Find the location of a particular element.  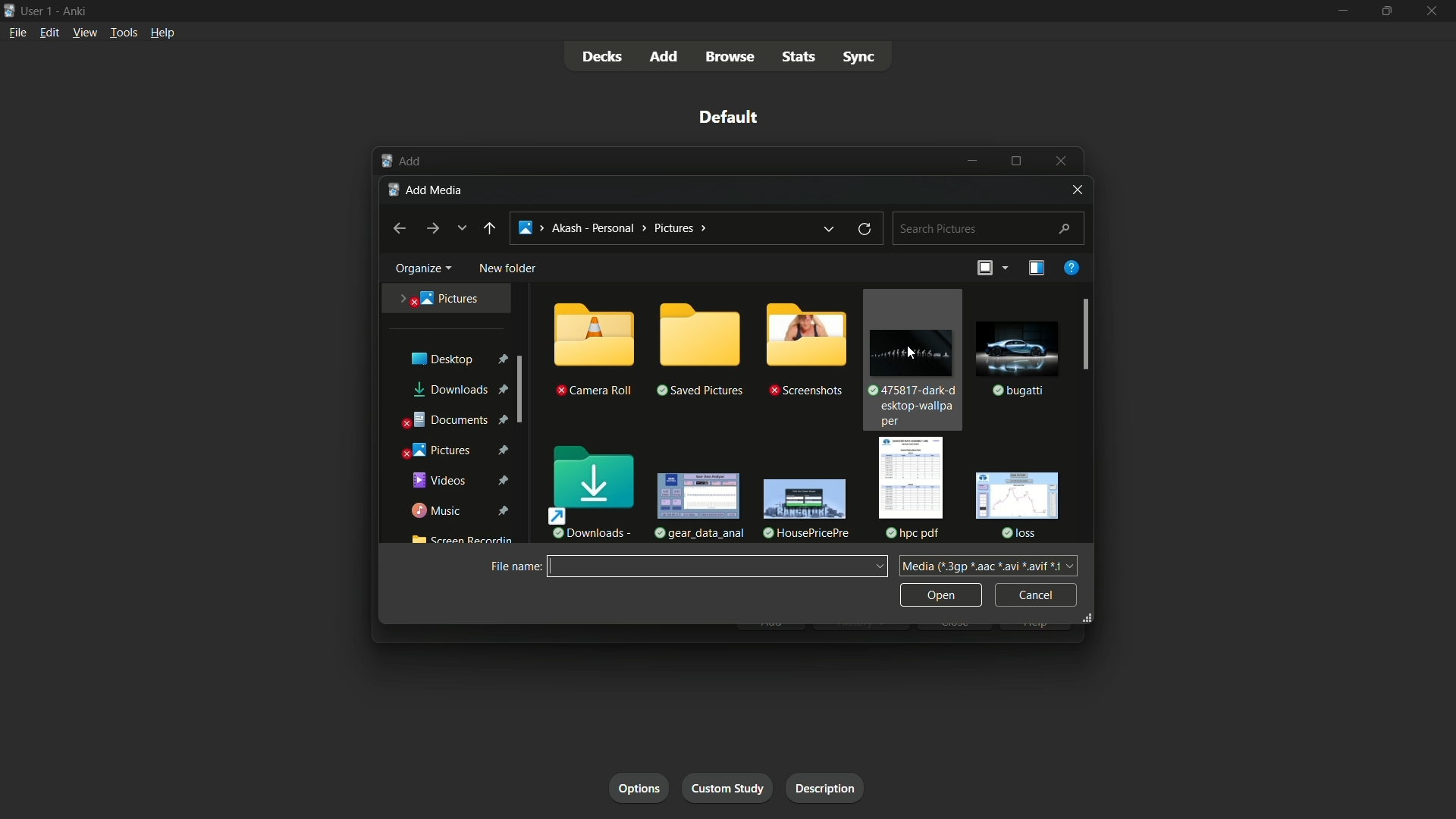

dia (*3gp *aac *avi *avif 1 + is located at coordinates (990, 566).